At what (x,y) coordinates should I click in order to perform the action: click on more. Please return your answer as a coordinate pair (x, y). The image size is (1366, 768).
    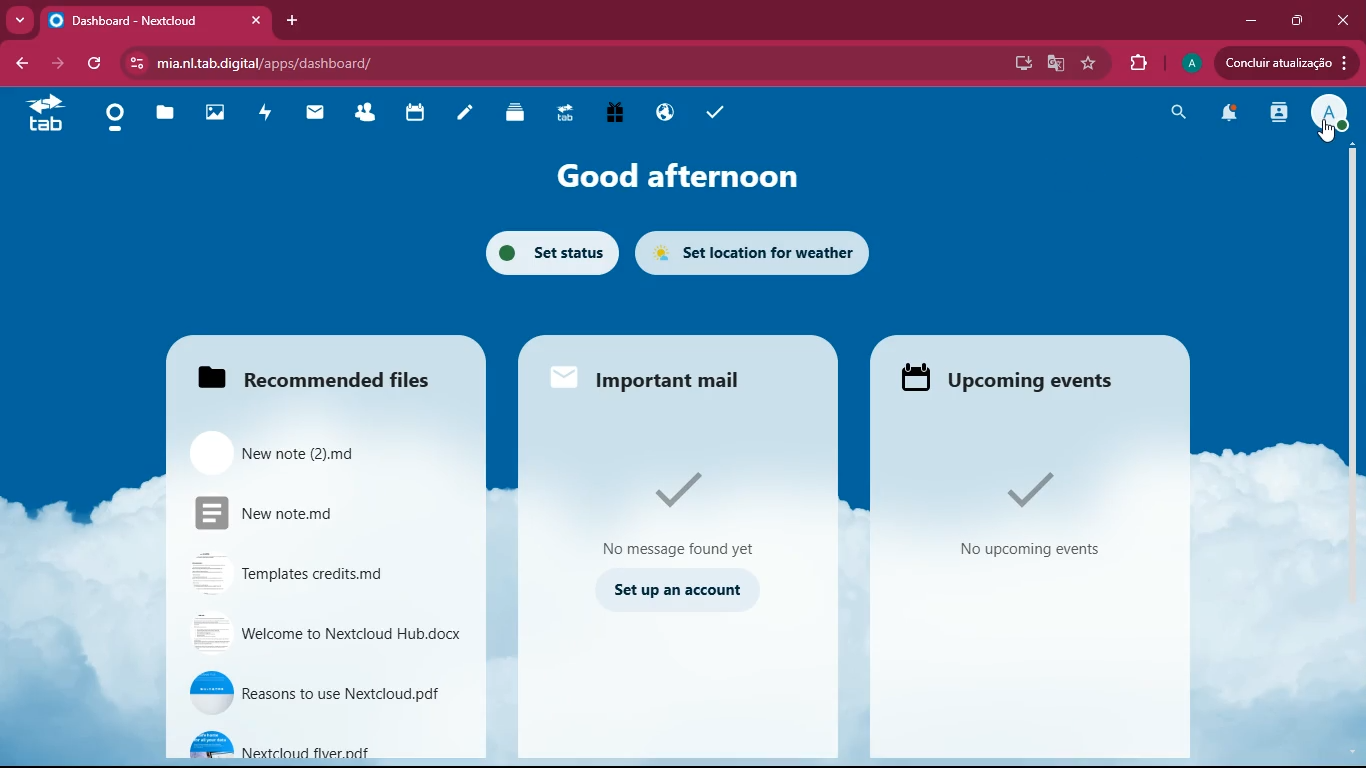
    Looking at the image, I should click on (22, 20).